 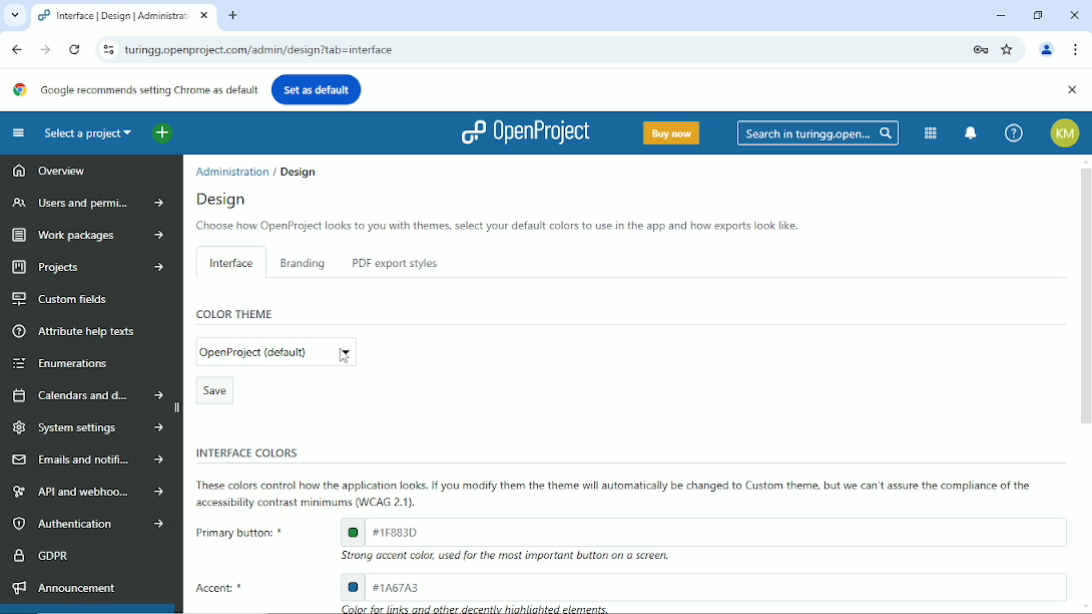 I want to click on Interface | Design | Adminestra:, so click(x=111, y=17).